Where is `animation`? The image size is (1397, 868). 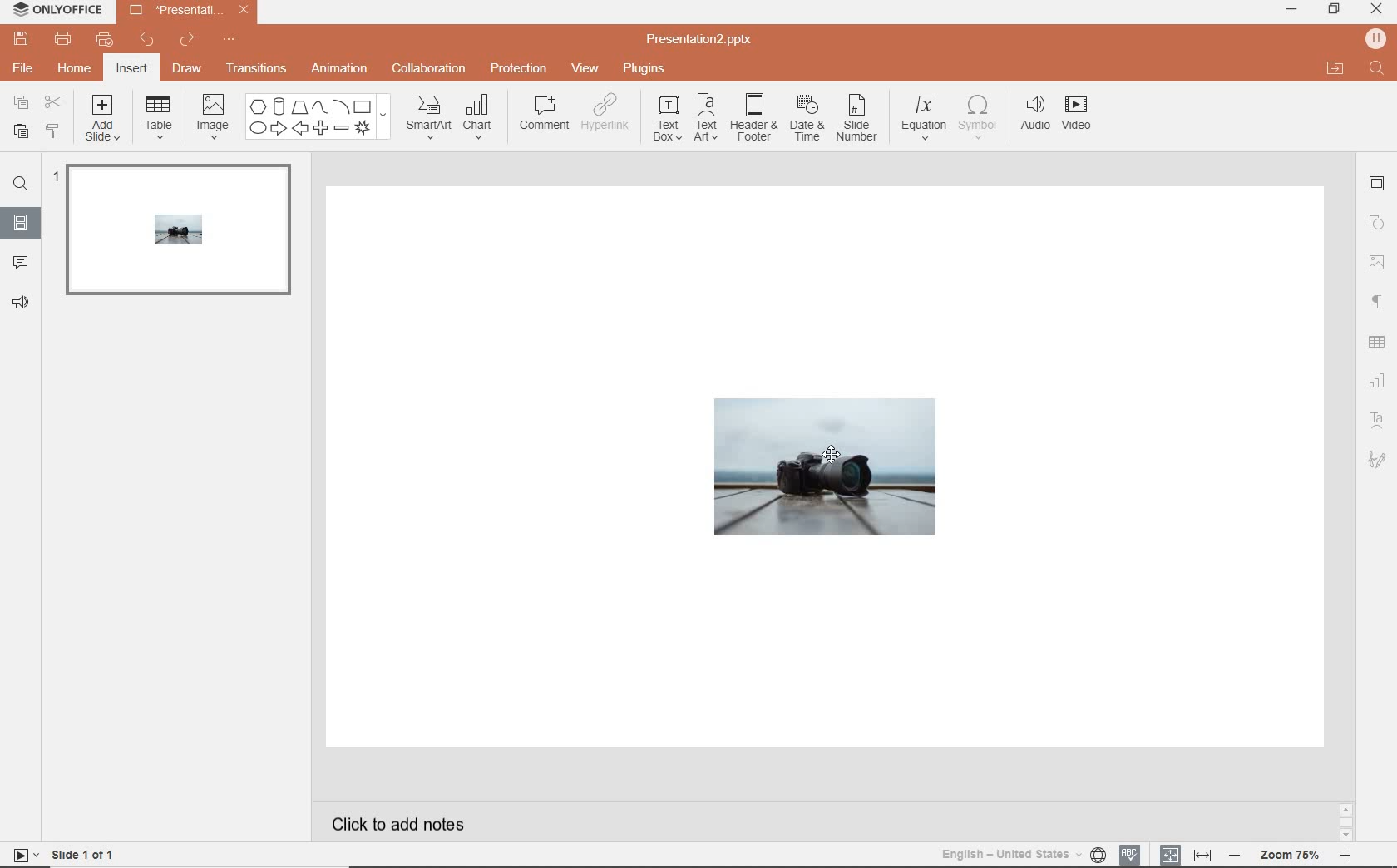
animation is located at coordinates (340, 69).